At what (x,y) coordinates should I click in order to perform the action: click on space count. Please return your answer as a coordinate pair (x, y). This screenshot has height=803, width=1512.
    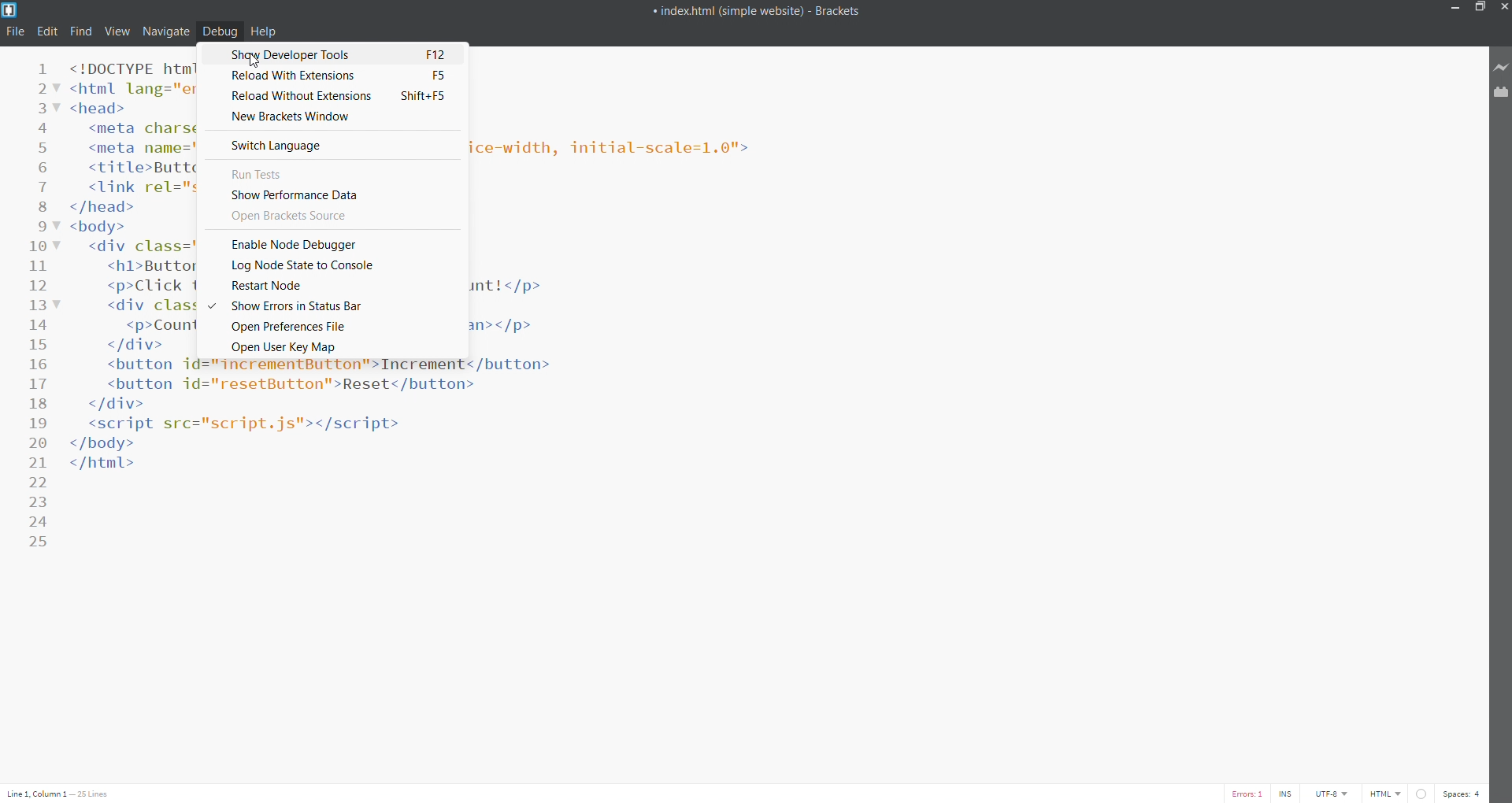
    Looking at the image, I should click on (1467, 794).